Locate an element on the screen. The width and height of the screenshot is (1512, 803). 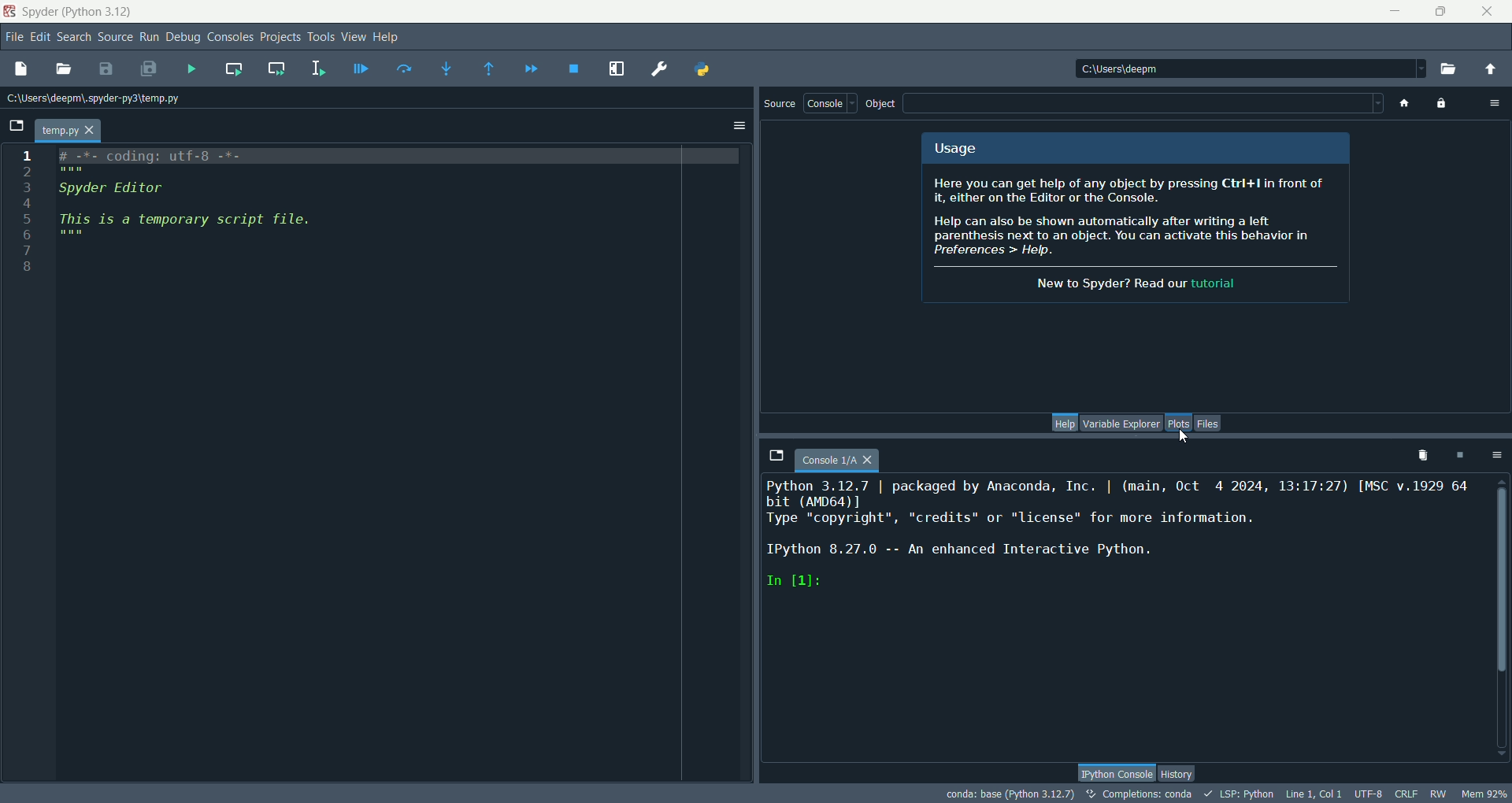
usage is located at coordinates (954, 149).